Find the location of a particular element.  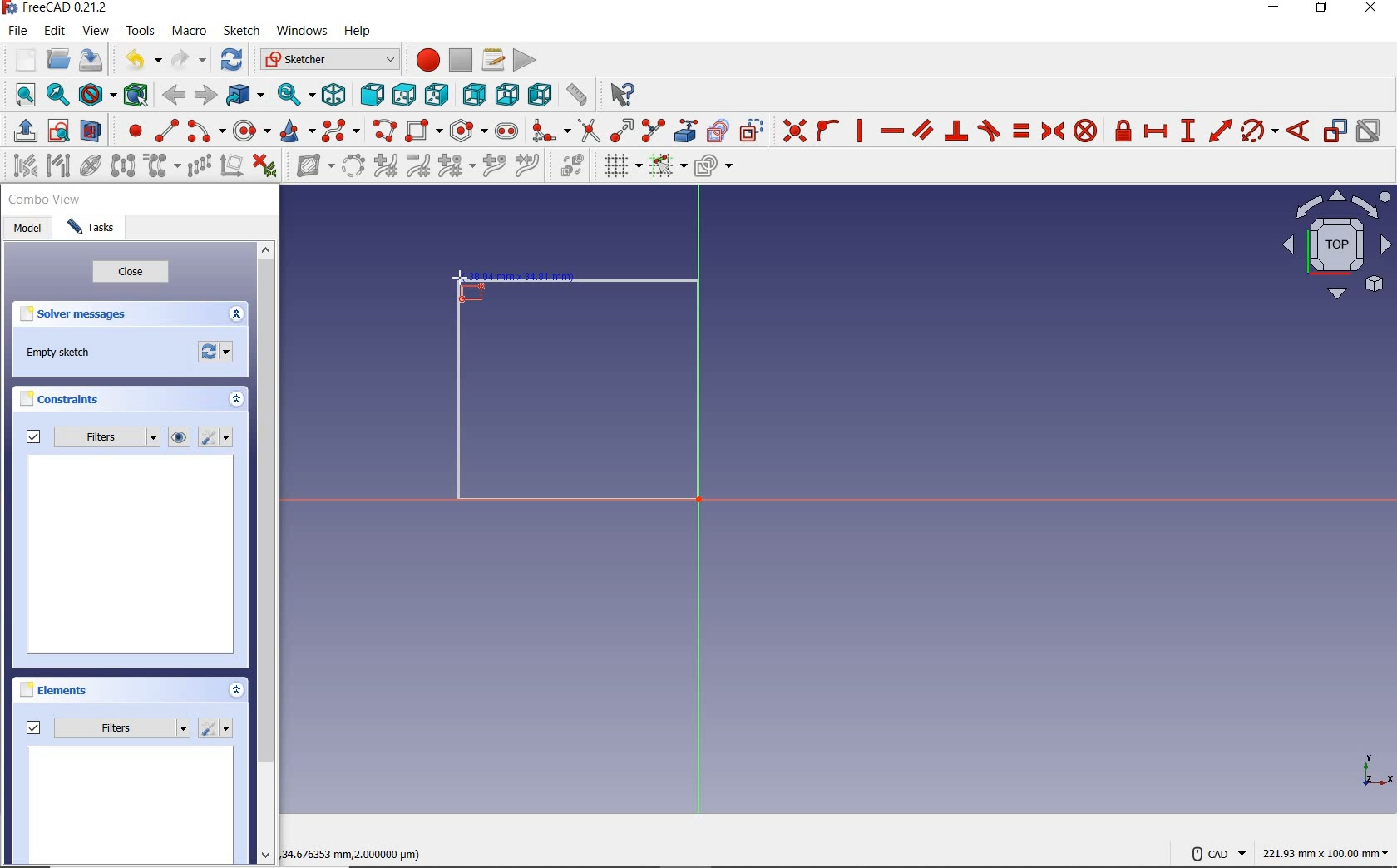

file is located at coordinates (20, 32).